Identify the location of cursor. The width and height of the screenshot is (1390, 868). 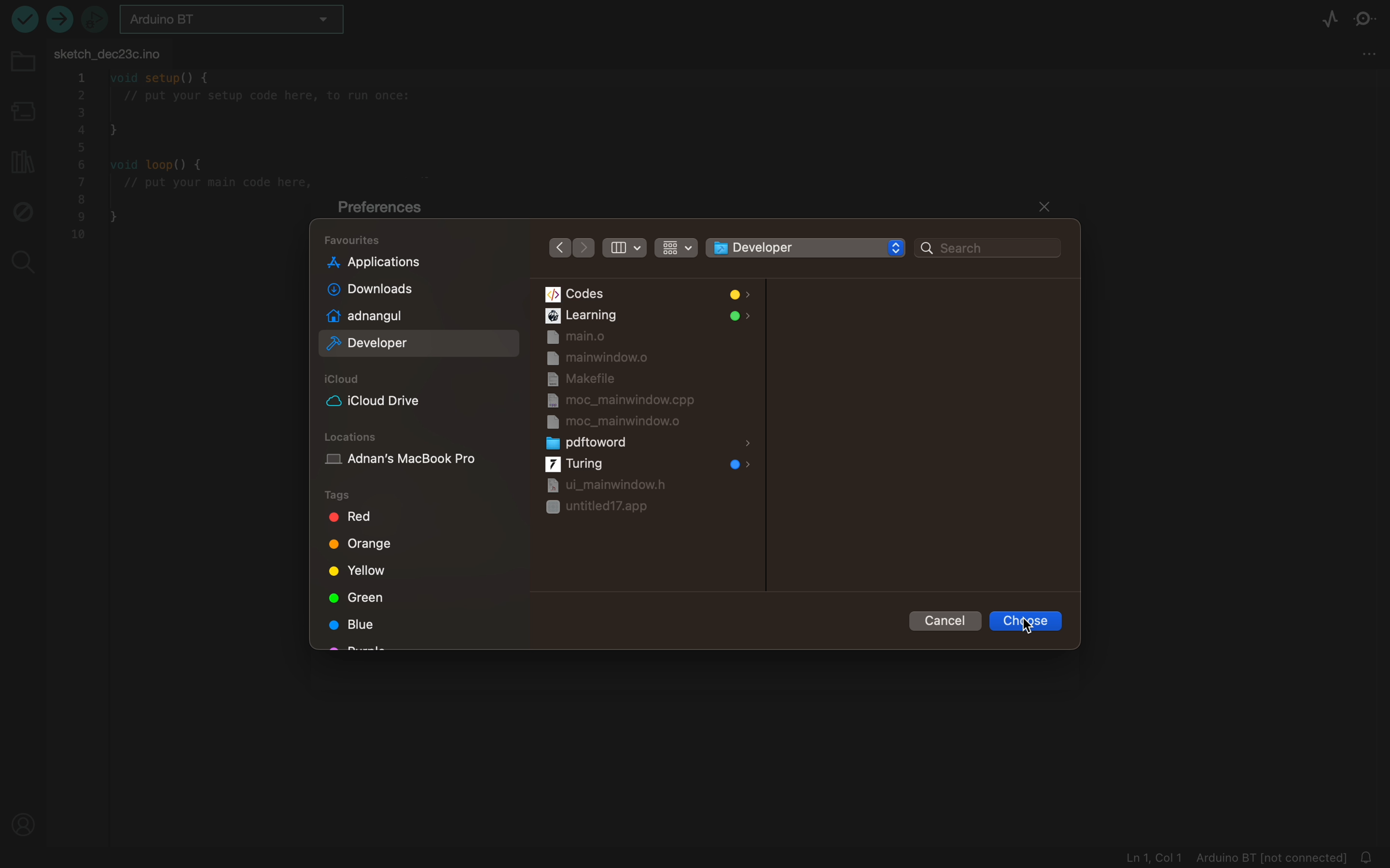
(1042, 620).